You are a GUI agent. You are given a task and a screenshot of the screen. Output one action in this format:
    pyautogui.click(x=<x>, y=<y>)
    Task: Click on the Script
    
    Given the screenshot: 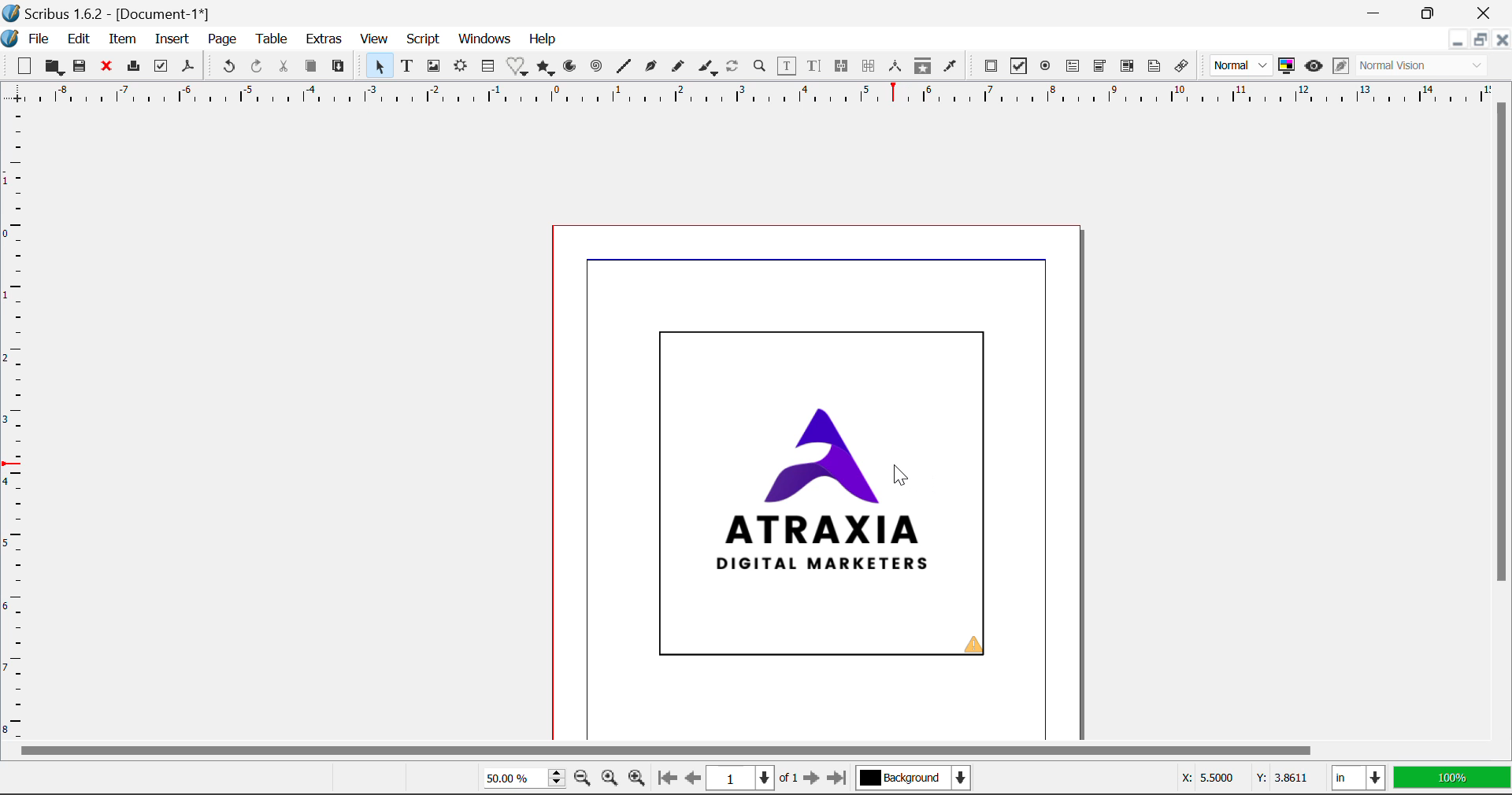 What is the action you would take?
    pyautogui.click(x=424, y=38)
    